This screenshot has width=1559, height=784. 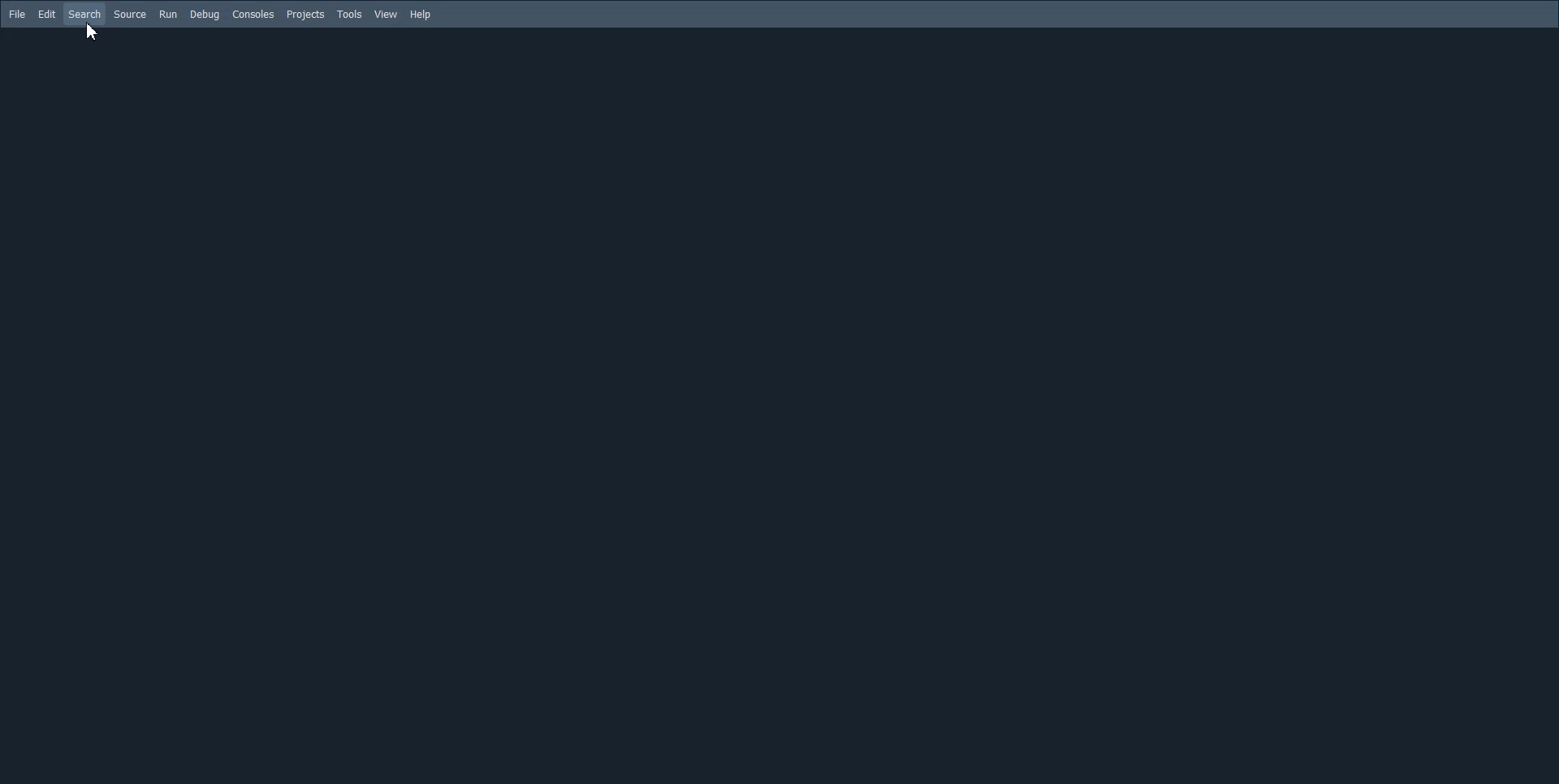 What do you see at coordinates (18, 14) in the screenshot?
I see `File` at bounding box center [18, 14].